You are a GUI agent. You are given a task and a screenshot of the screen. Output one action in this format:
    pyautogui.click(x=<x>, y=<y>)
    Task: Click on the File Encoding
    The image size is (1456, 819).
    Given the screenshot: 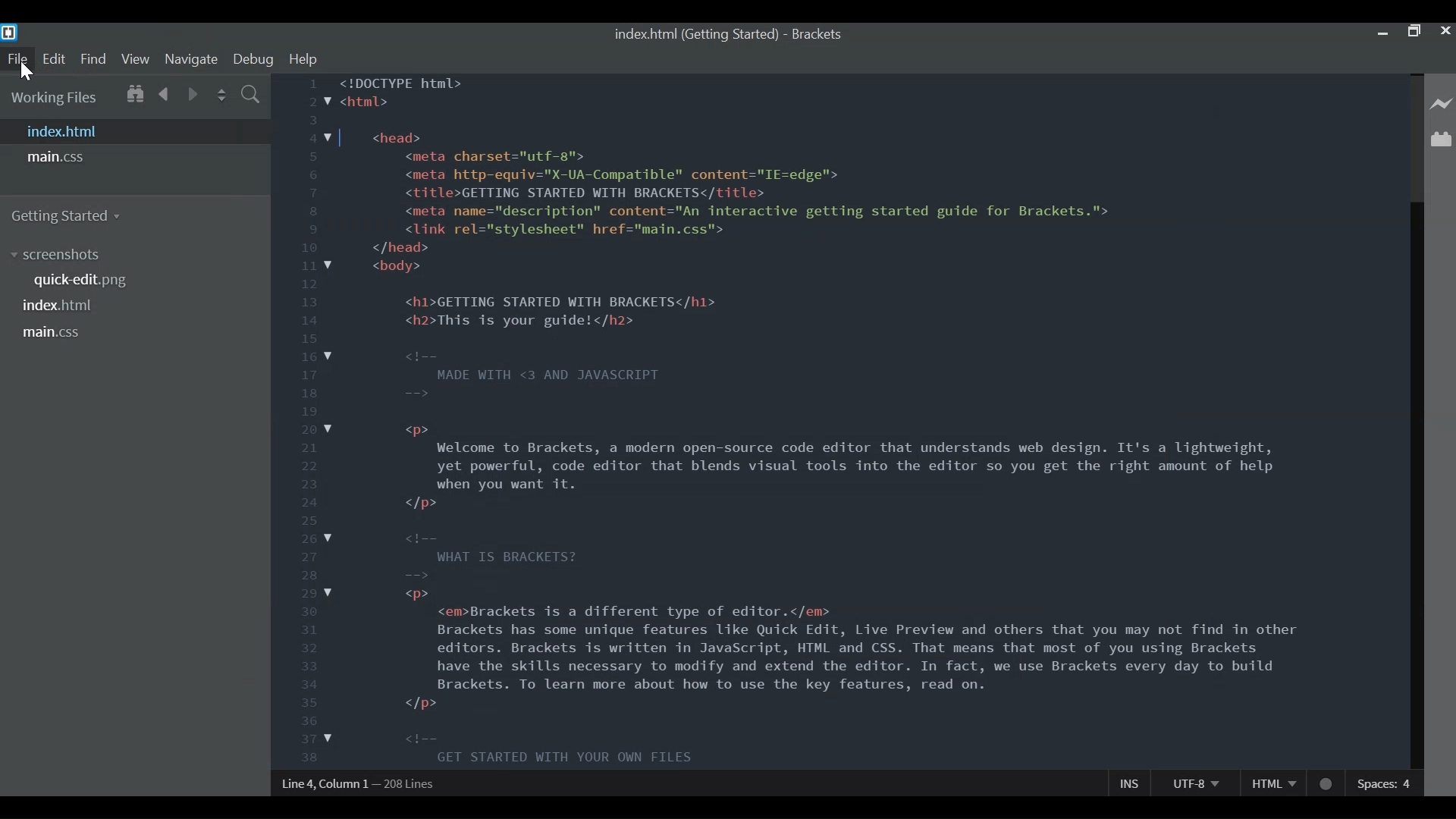 What is the action you would take?
    pyautogui.click(x=1194, y=783)
    